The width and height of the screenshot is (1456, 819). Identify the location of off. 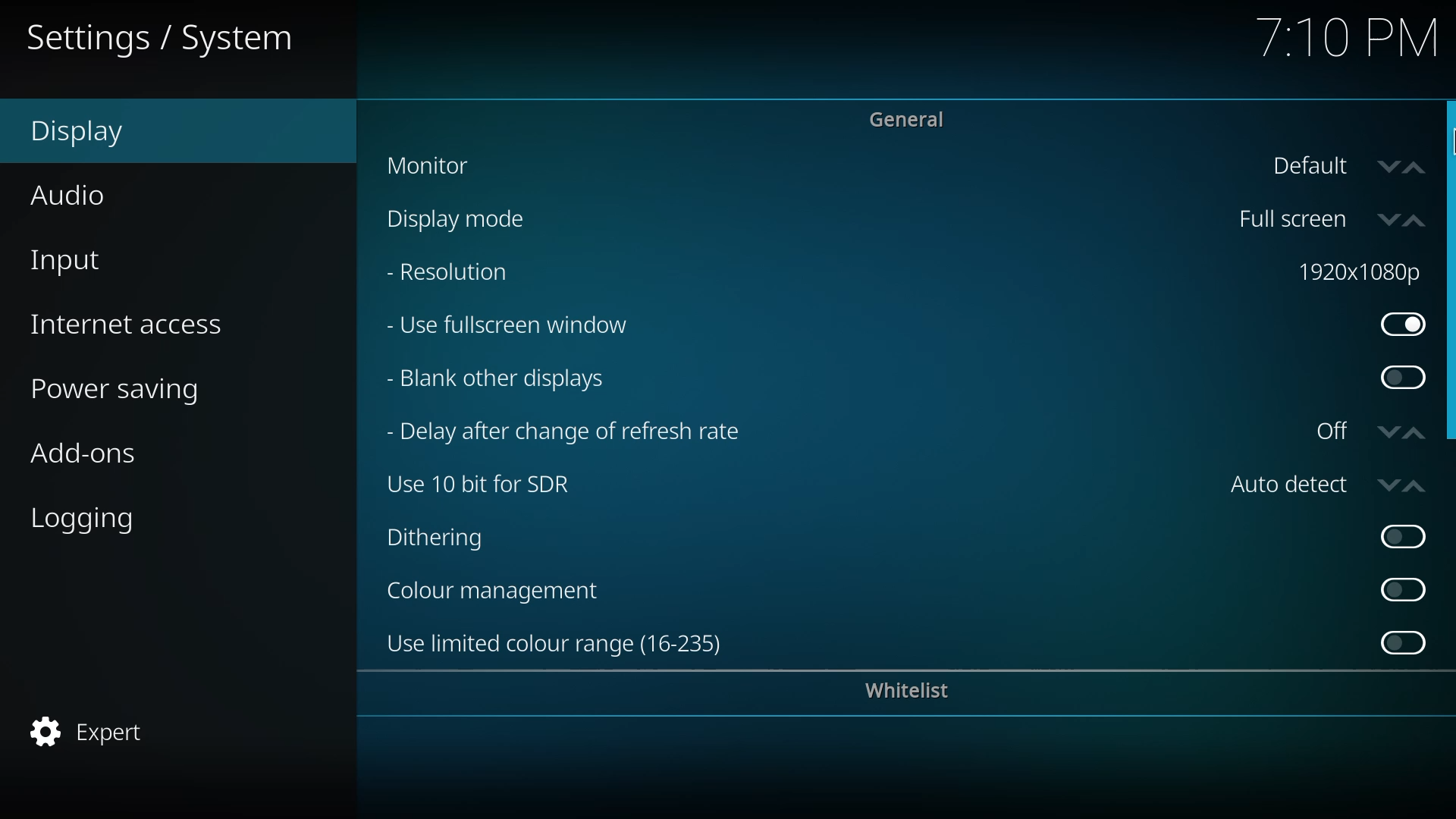
(1363, 432).